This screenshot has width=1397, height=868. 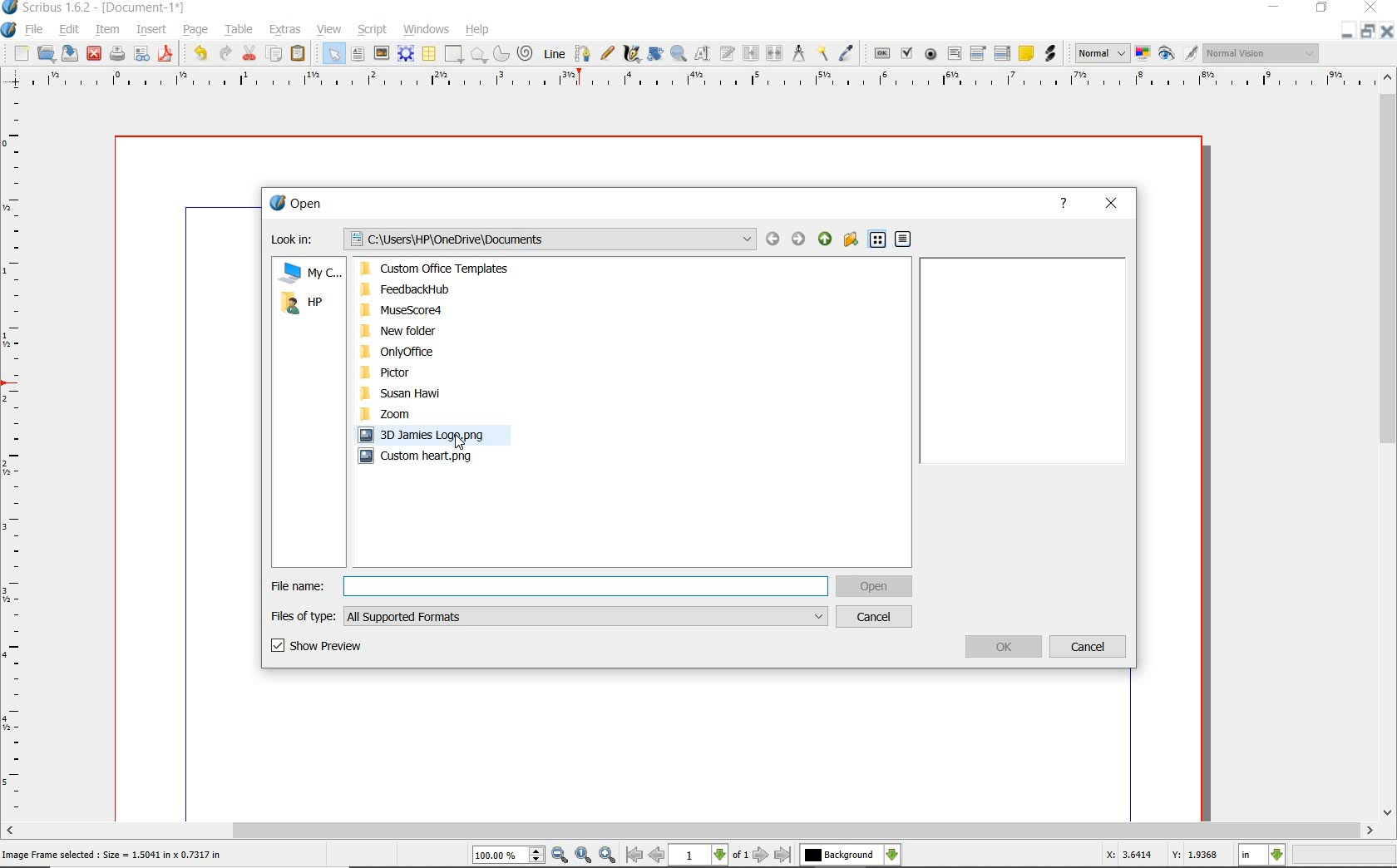 I want to click on up, so click(x=824, y=239).